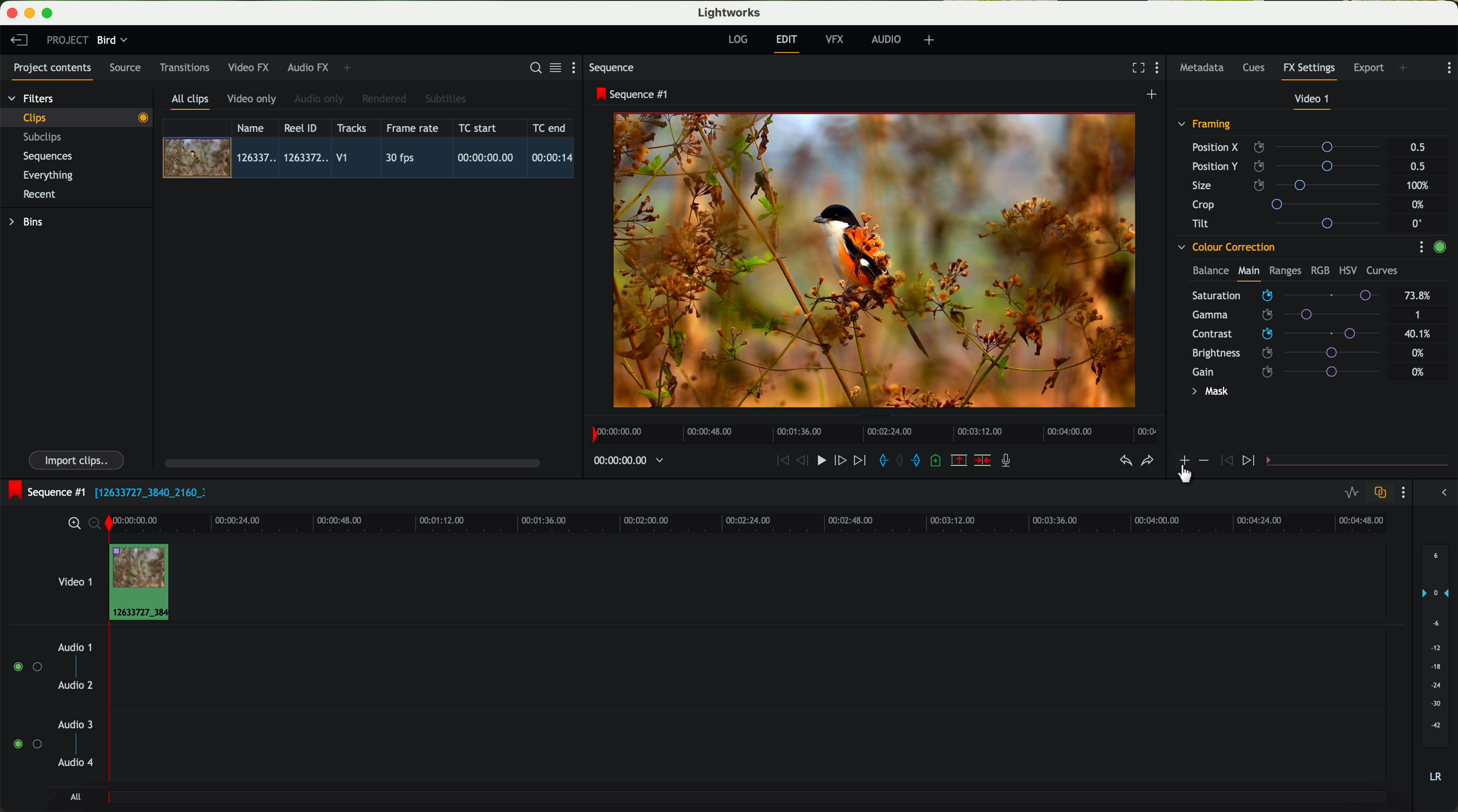 The width and height of the screenshot is (1458, 812). Describe the element at coordinates (1418, 316) in the screenshot. I see `1` at that location.